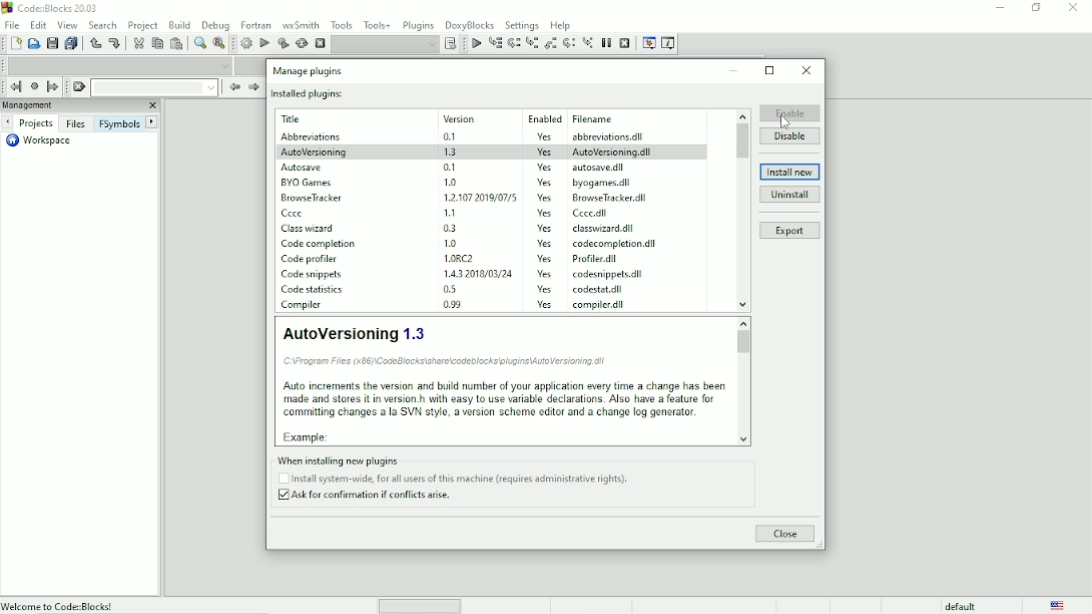 The height and width of the screenshot is (614, 1092). I want to click on New file, so click(14, 43).